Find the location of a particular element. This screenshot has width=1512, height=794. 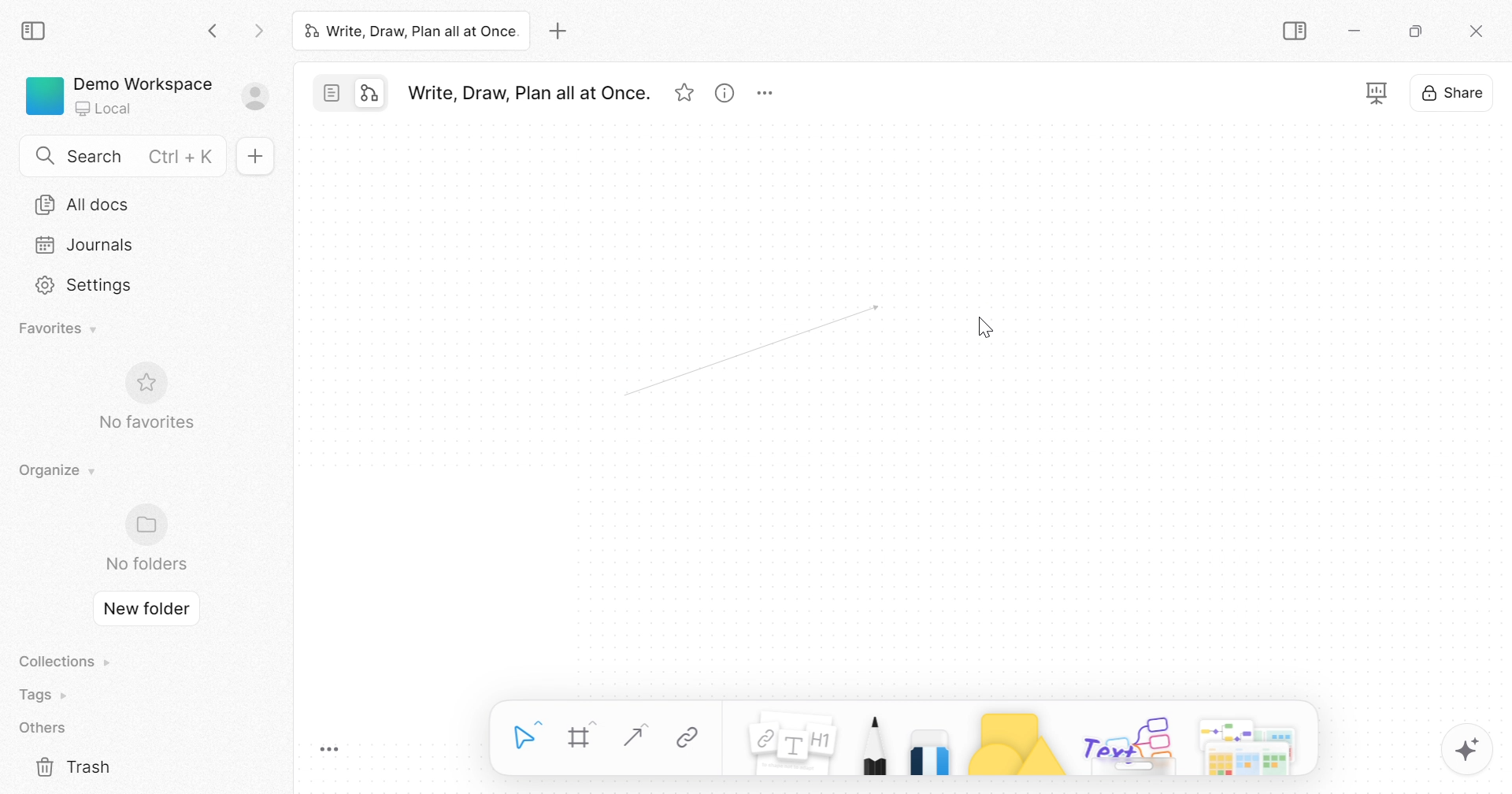

Restore down is located at coordinates (1415, 33).